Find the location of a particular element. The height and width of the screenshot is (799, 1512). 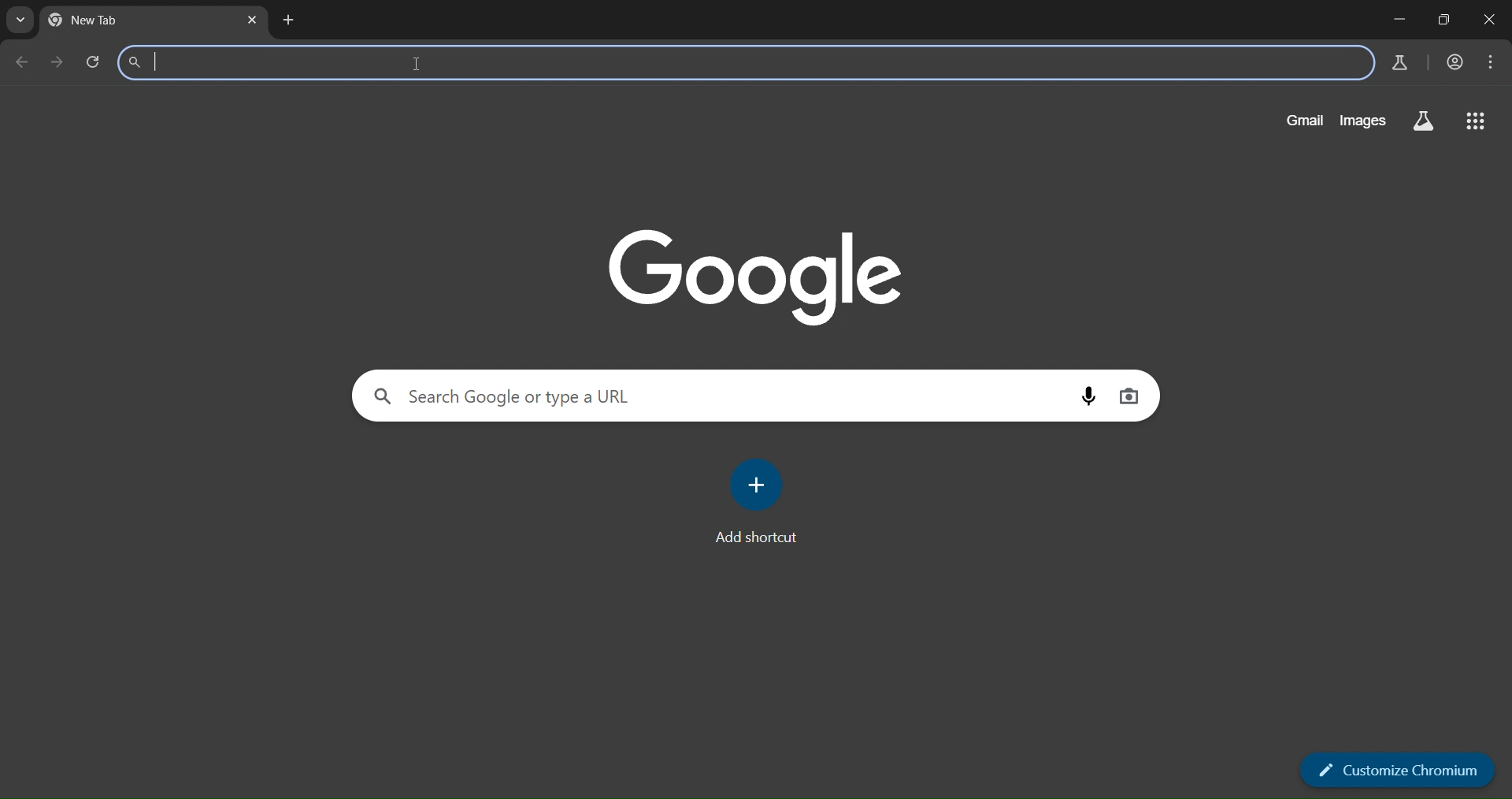

search labs is located at coordinates (1400, 61).